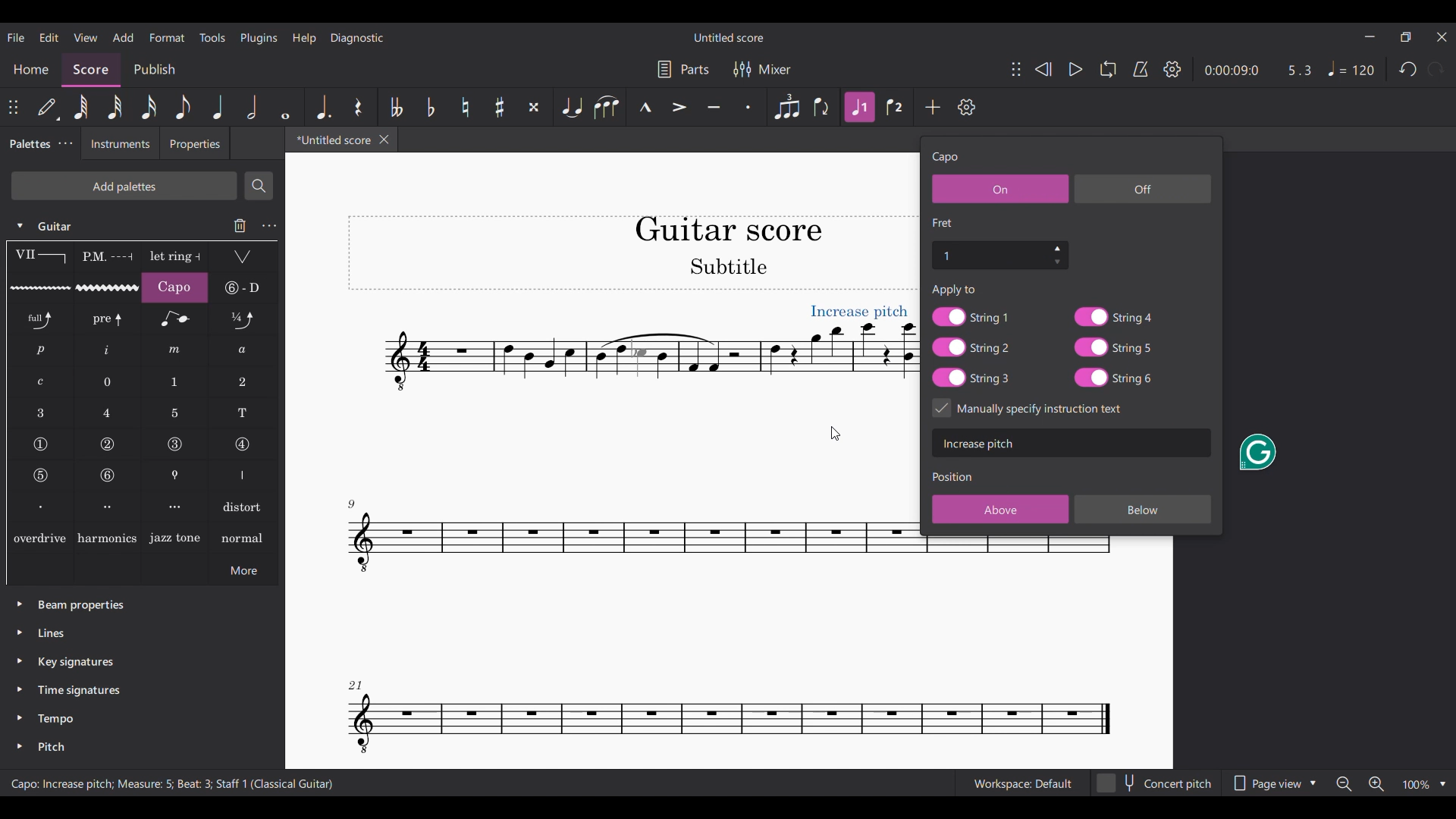 The image size is (1456, 819). What do you see at coordinates (1002, 253) in the screenshot?
I see `Fret number settings` at bounding box center [1002, 253].